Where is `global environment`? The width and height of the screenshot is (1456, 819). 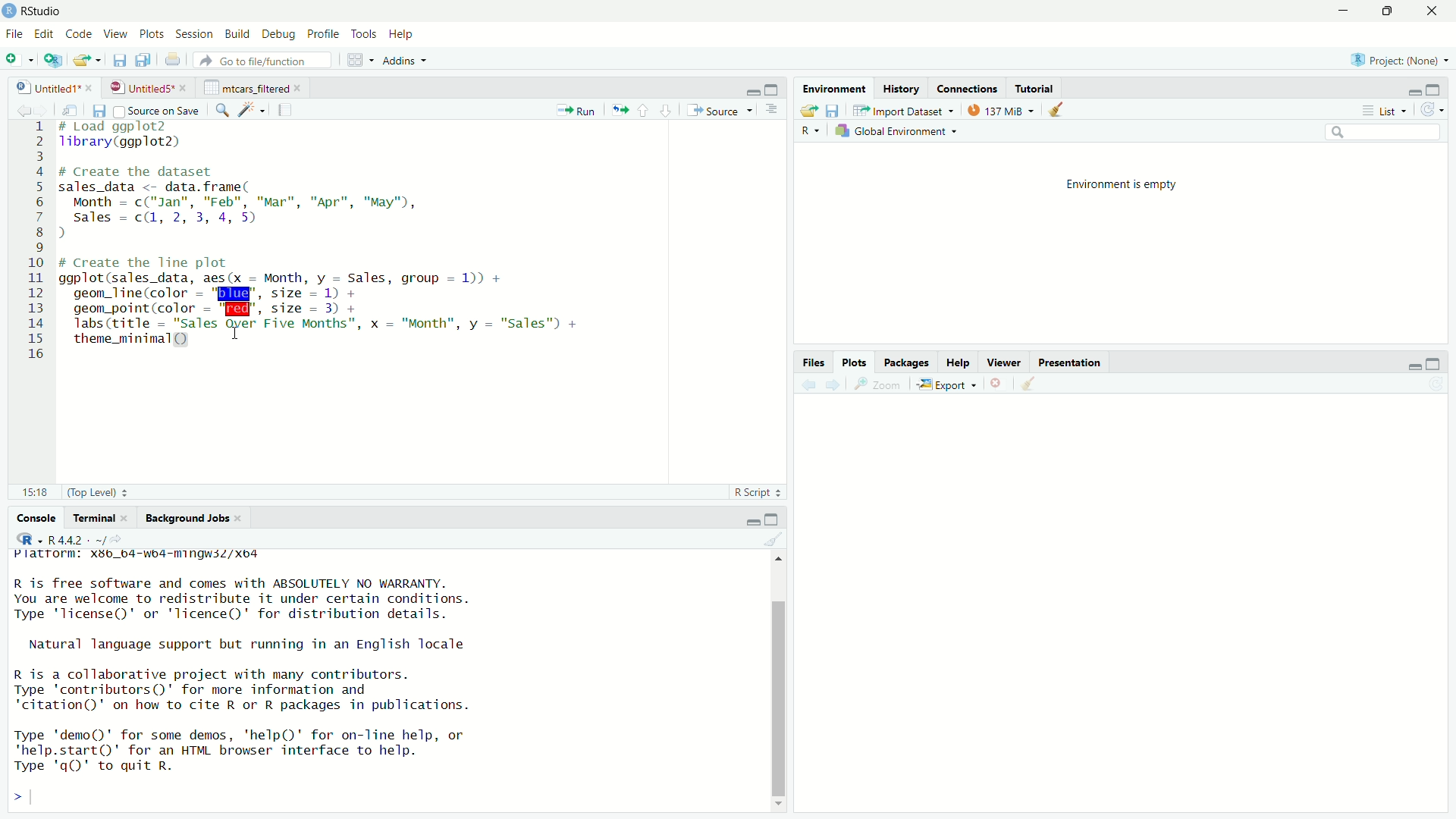
global environment is located at coordinates (893, 132).